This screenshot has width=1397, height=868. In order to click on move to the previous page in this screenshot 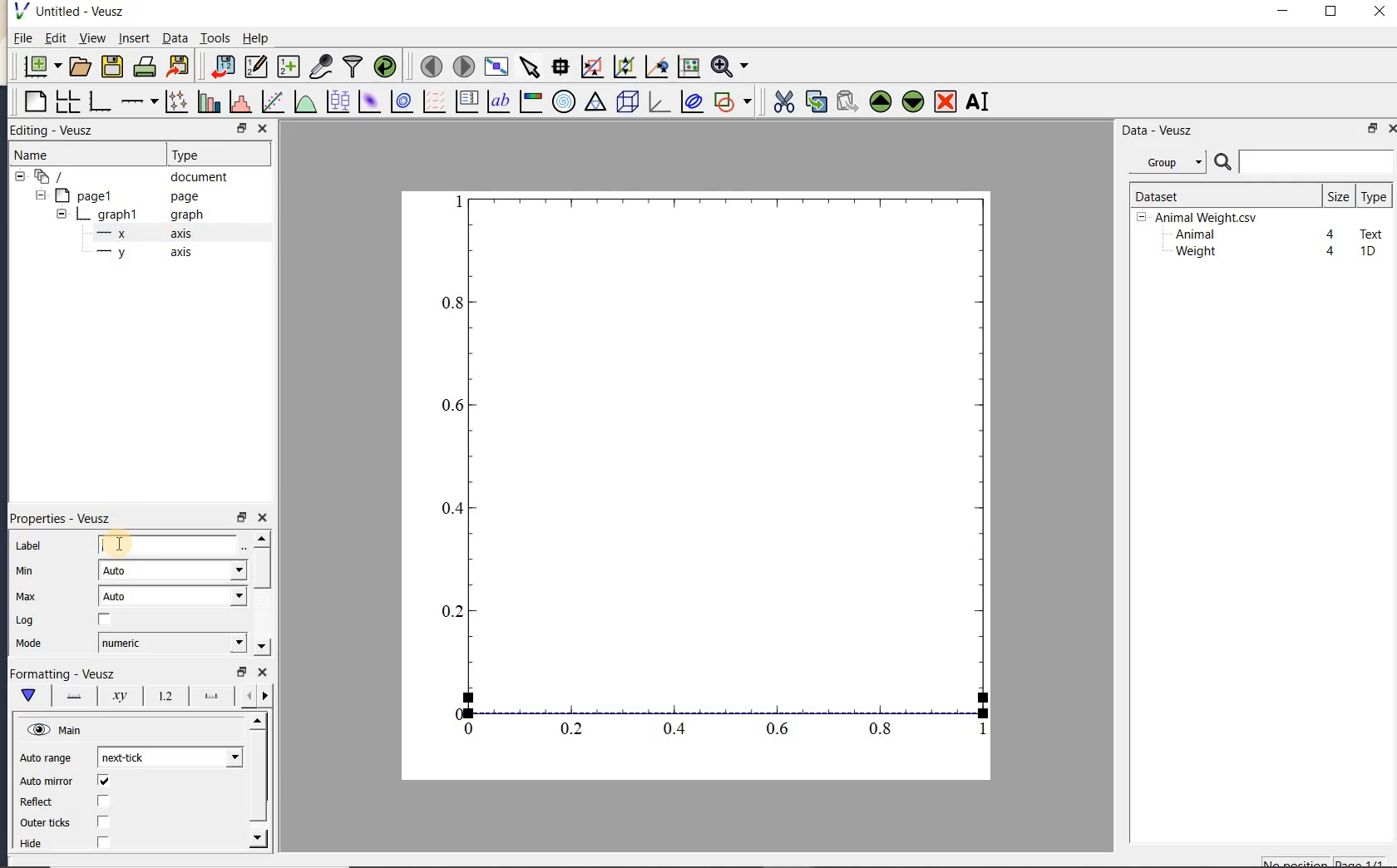, I will do `click(428, 65)`.